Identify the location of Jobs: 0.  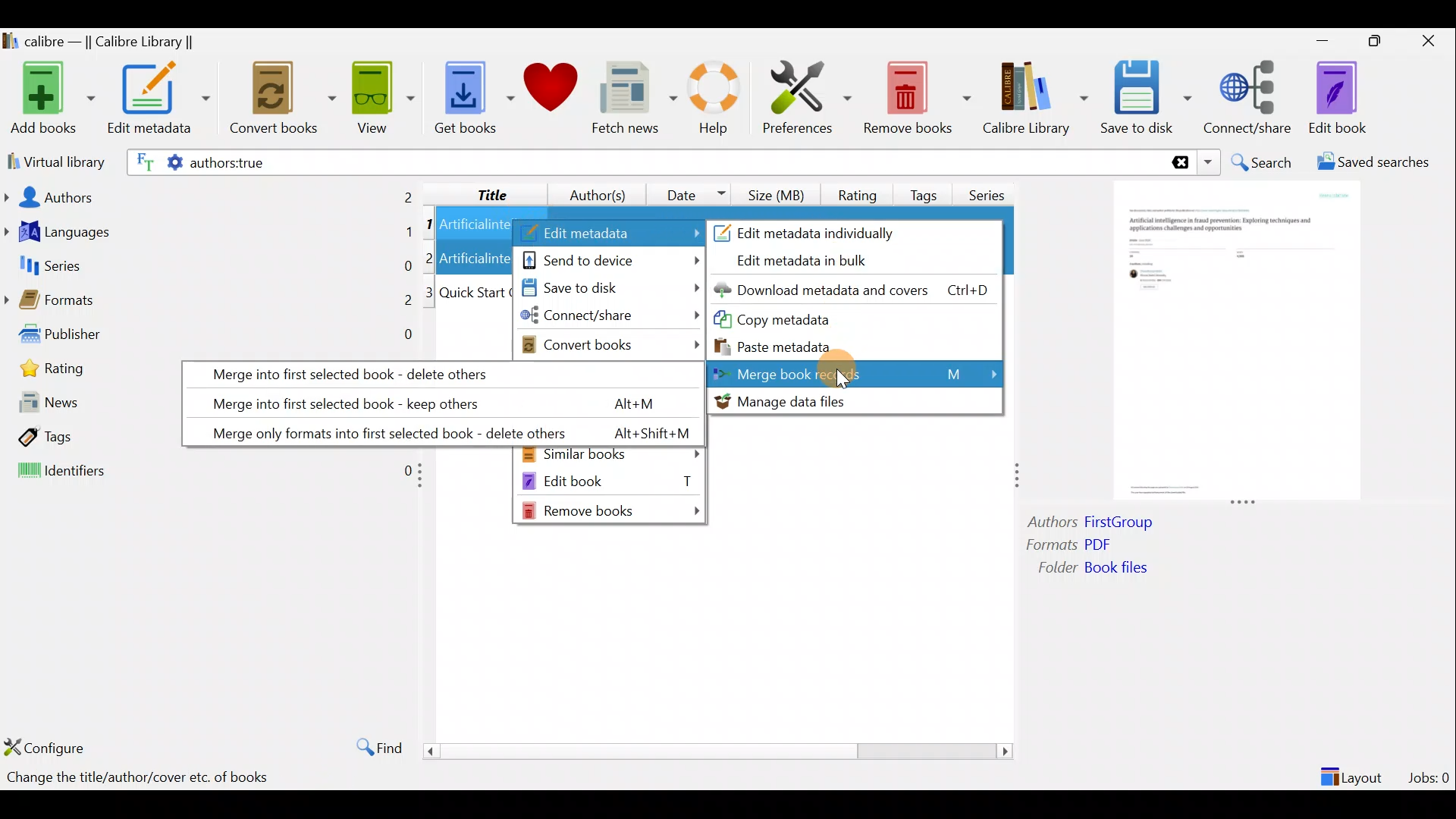
(1430, 773).